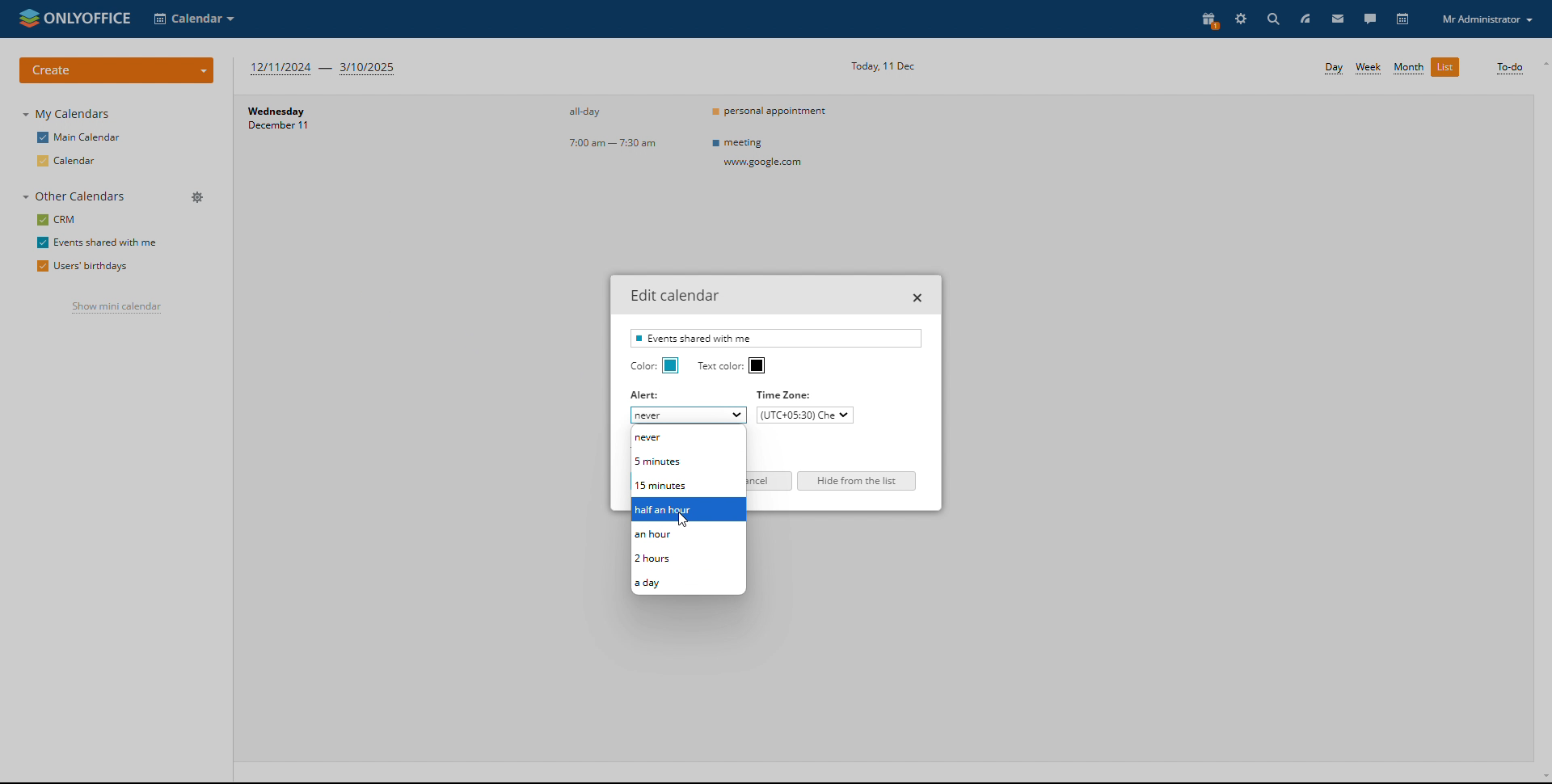 This screenshot has width=1552, height=784. Describe the element at coordinates (1487, 19) in the screenshot. I see `profile` at that location.